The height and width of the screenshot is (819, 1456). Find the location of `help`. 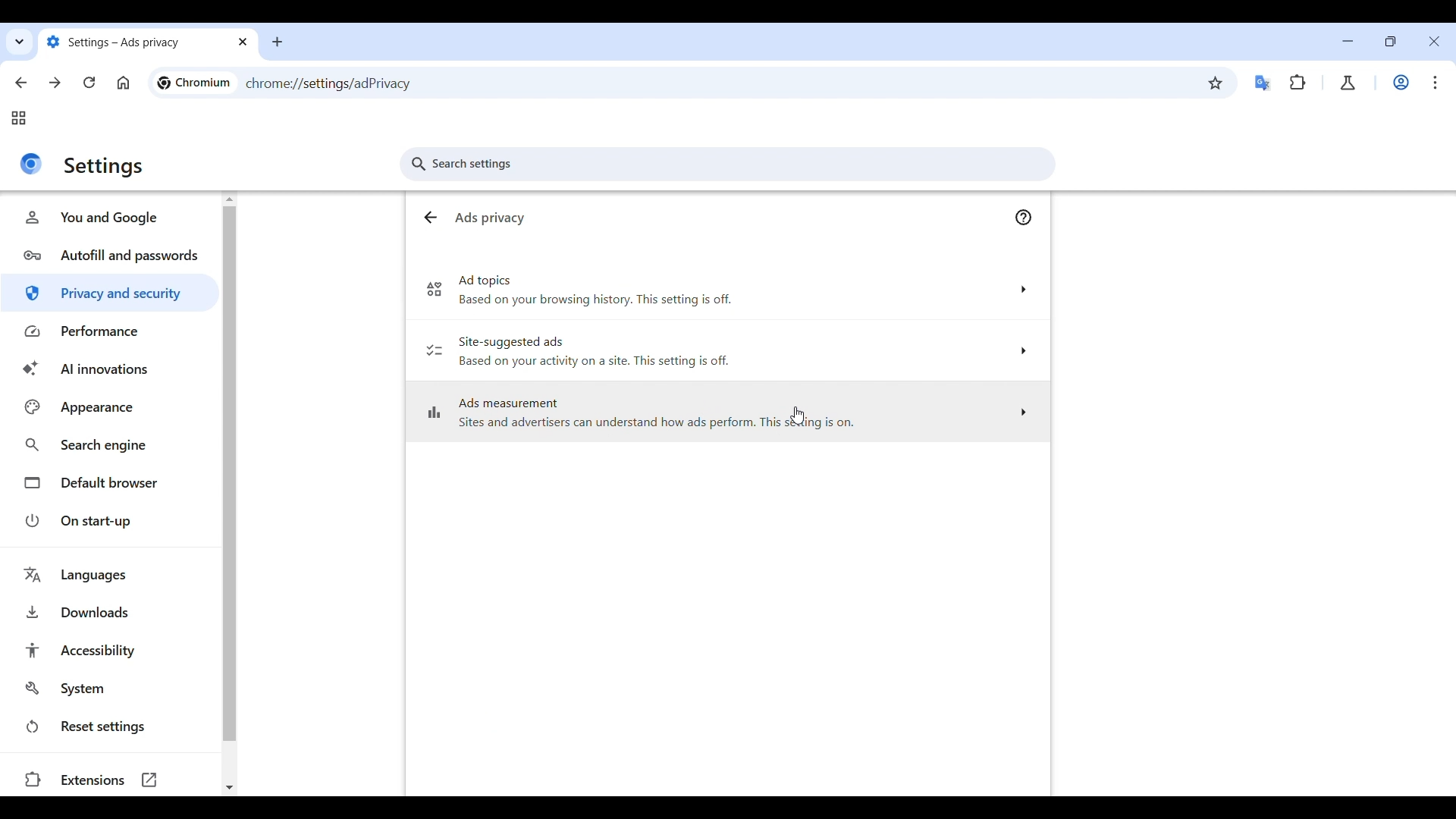

help is located at coordinates (1028, 219).